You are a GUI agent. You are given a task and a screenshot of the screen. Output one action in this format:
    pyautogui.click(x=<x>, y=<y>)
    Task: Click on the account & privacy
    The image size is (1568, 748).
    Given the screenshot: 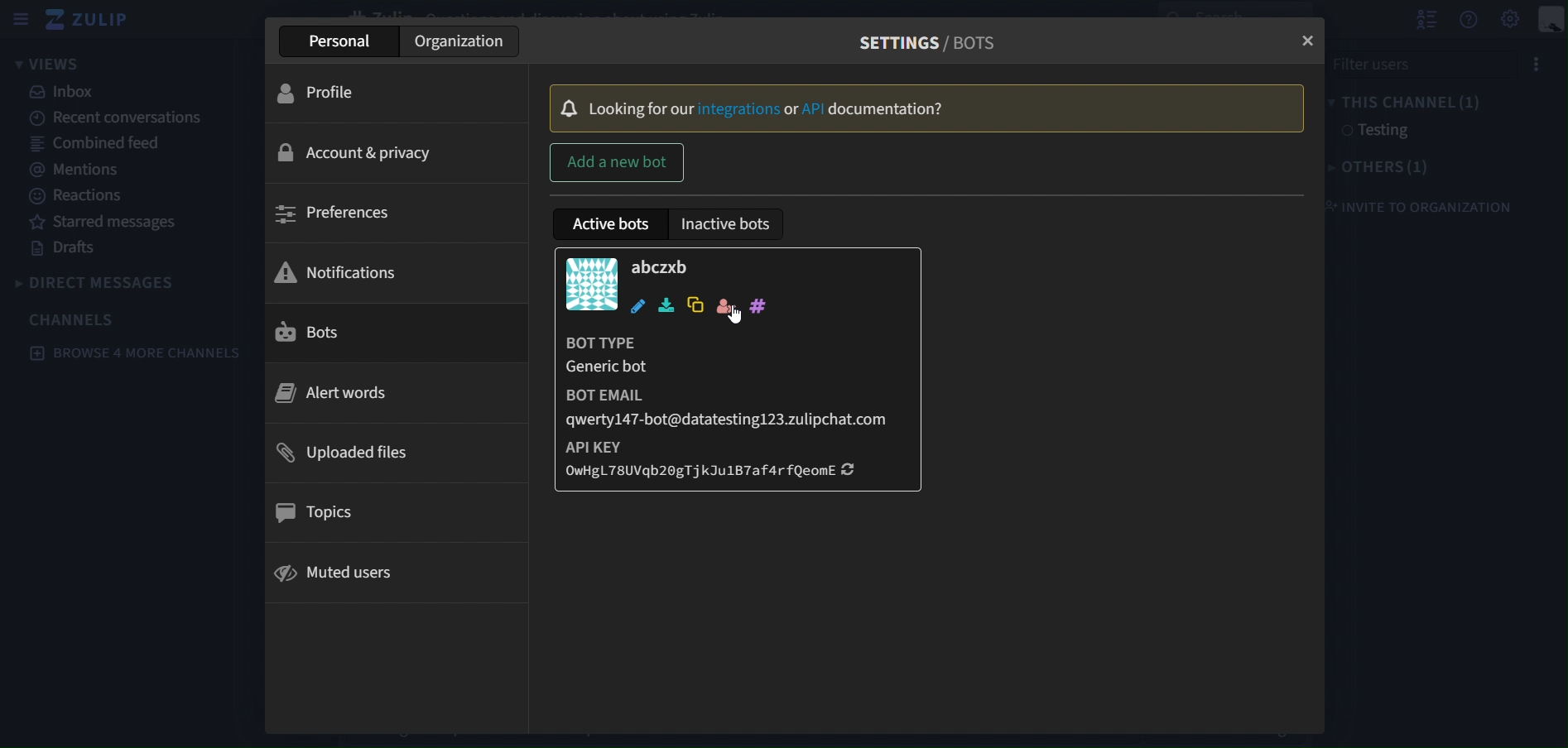 What is the action you would take?
    pyautogui.click(x=357, y=151)
    